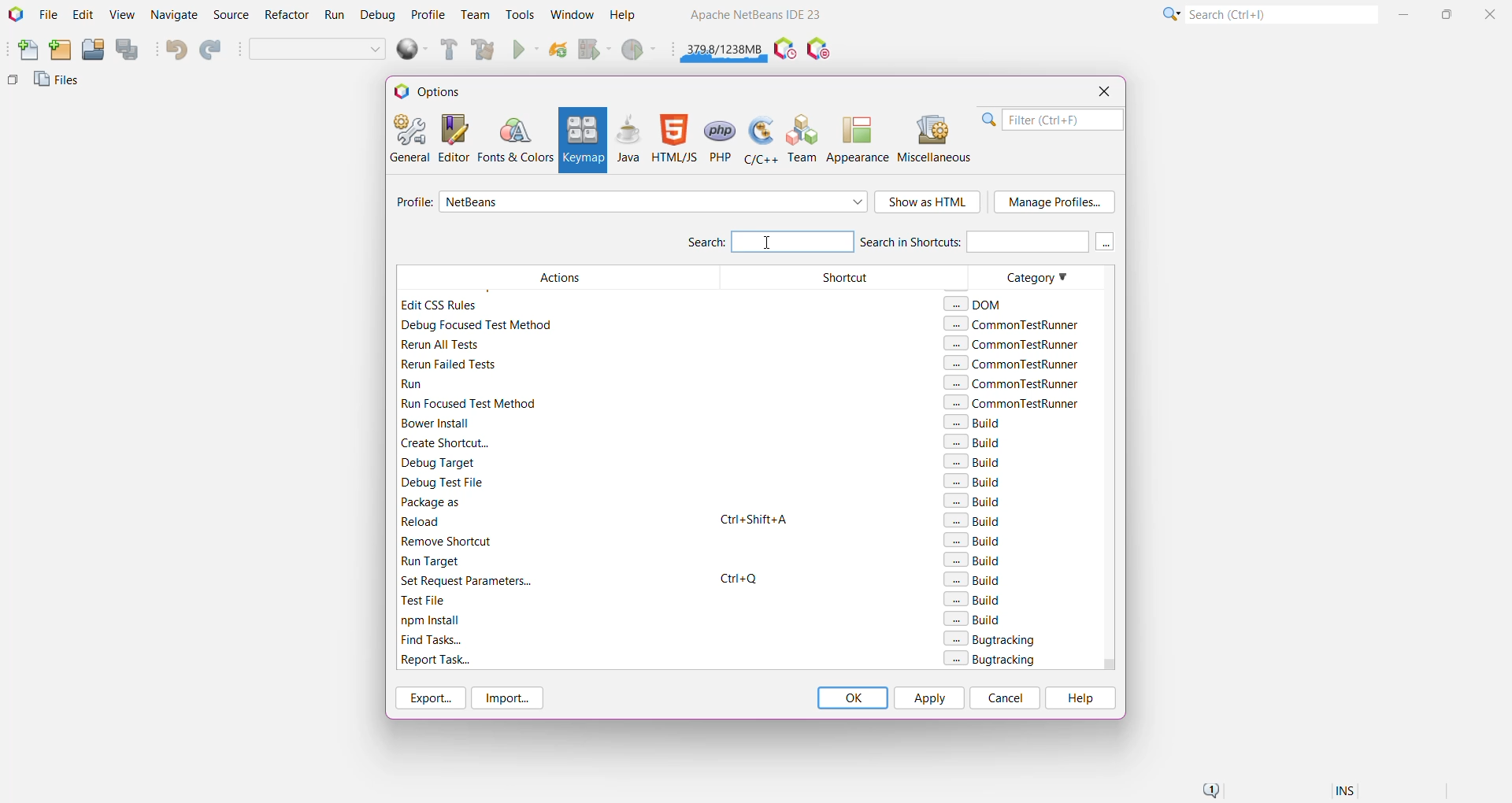 The width and height of the screenshot is (1512, 803). What do you see at coordinates (572, 14) in the screenshot?
I see `Window` at bounding box center [572, 14].